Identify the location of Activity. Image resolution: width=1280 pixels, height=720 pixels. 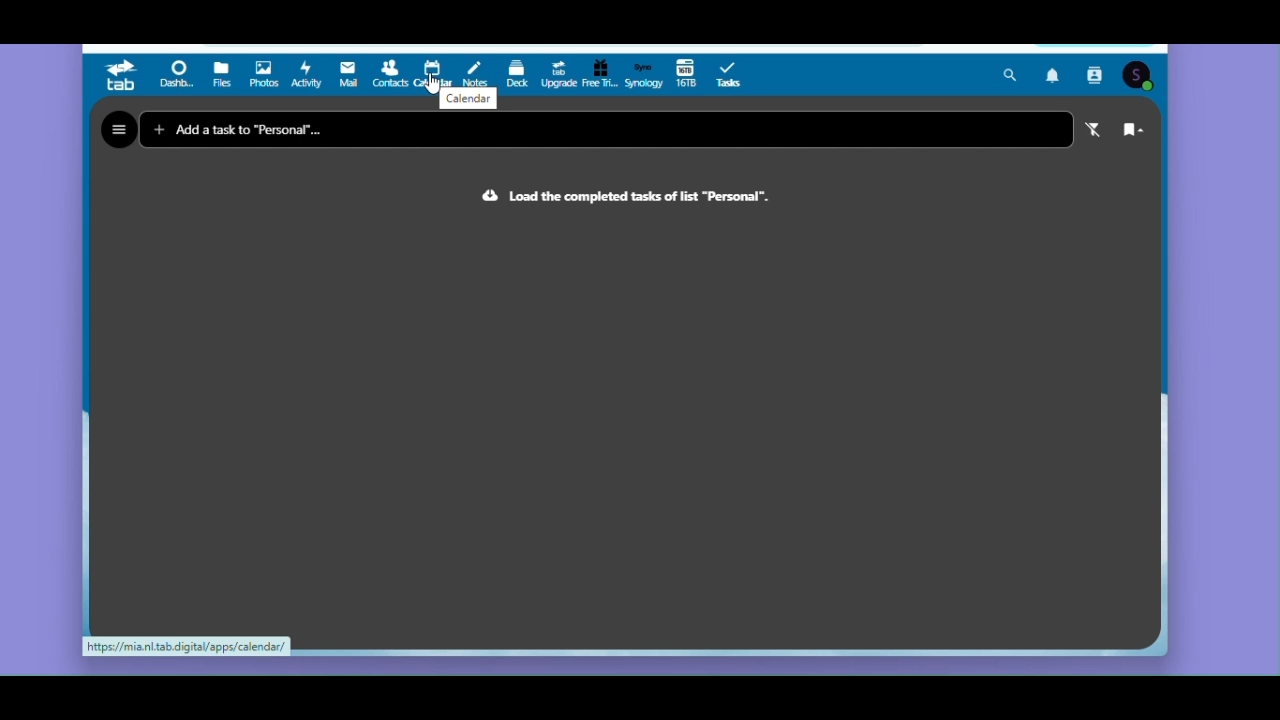
(307, 74).